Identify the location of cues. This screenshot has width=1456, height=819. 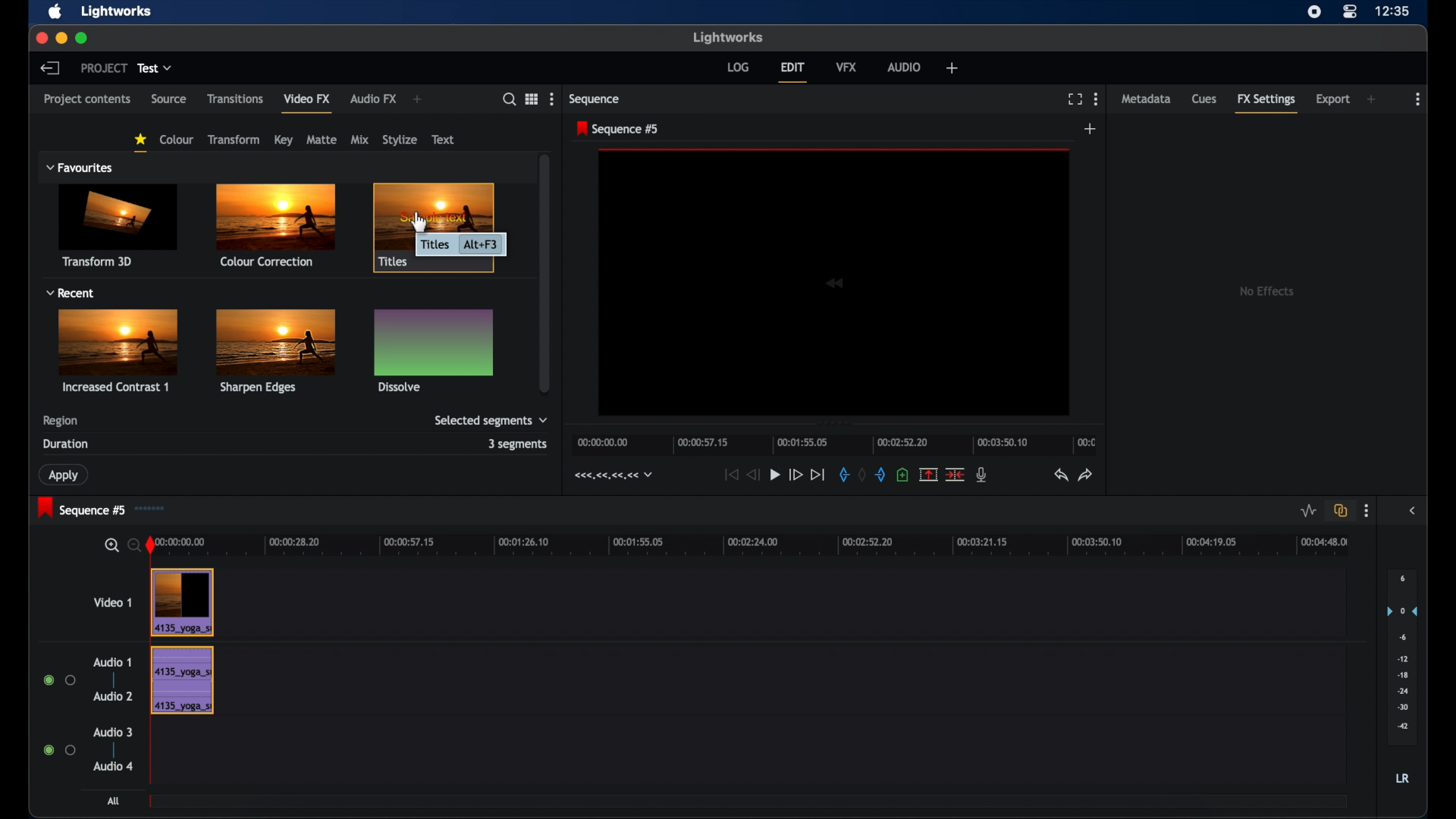
(1205, 99).